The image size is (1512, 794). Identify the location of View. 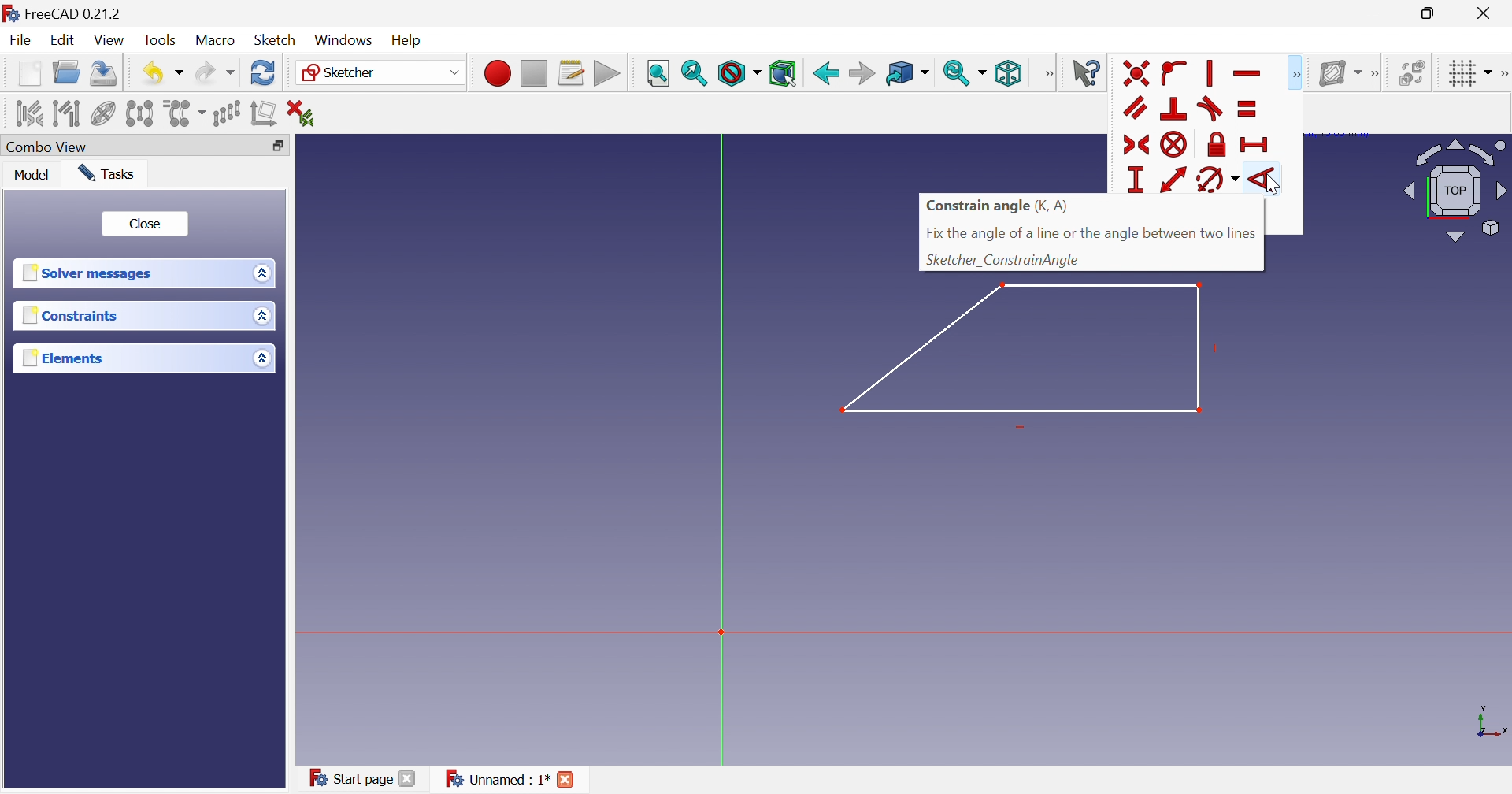
(110, 40).